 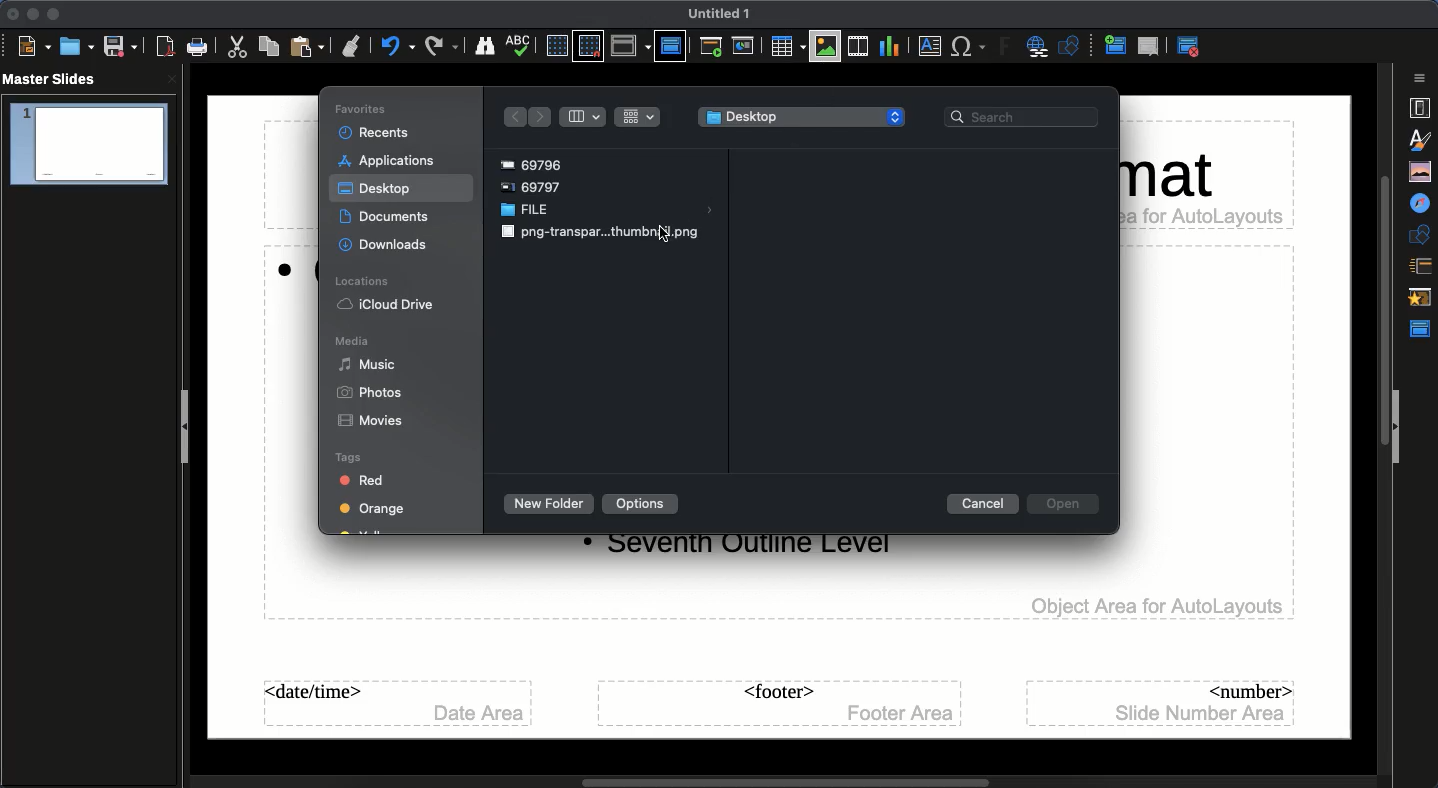 What do you see at coordinates (1423, 329) in the screenshot?
I see `Master slide` at bounding box center [1423, 329].